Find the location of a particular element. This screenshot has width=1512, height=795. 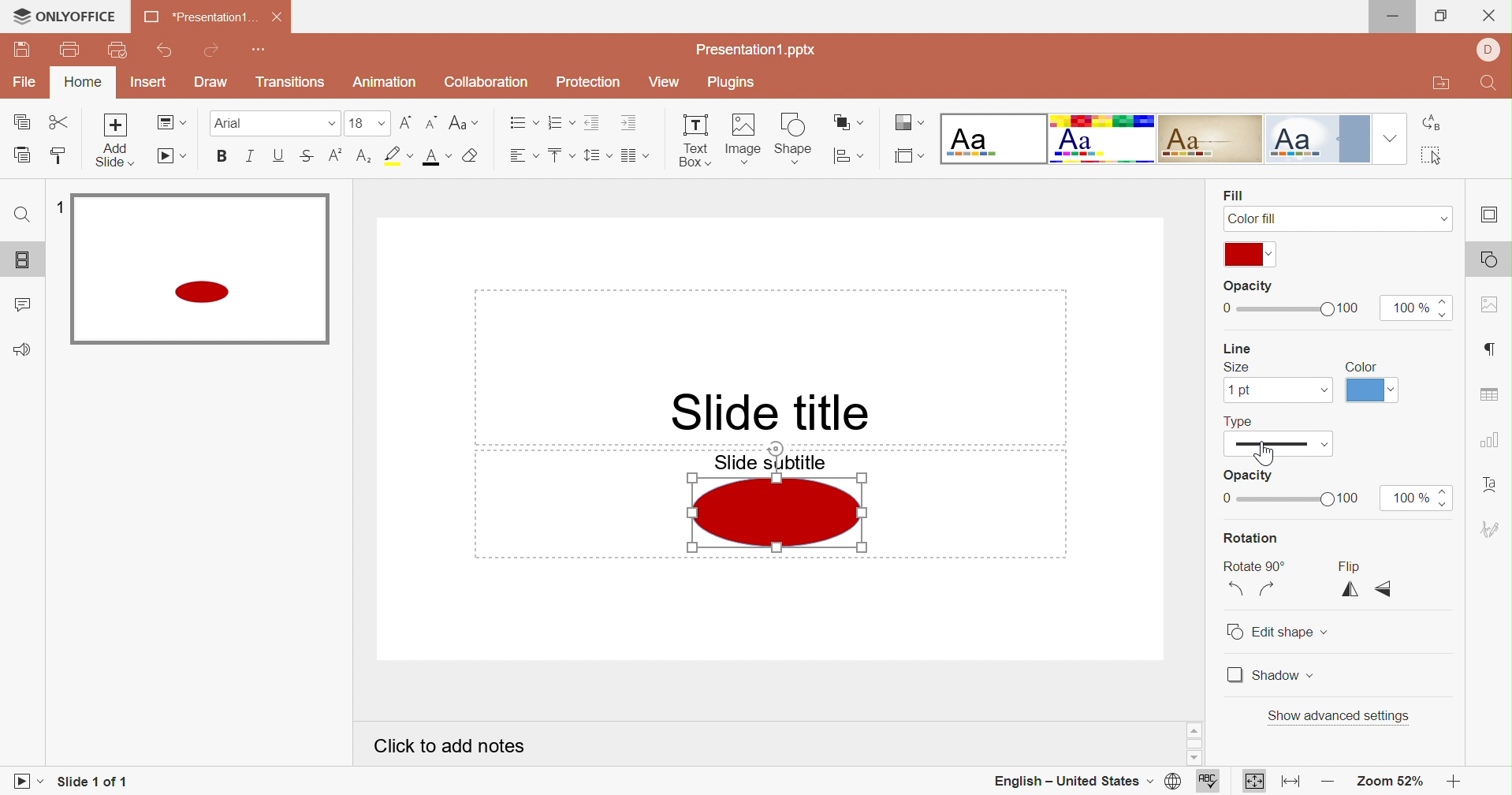

Align shape is located at coordinates (847, 155).